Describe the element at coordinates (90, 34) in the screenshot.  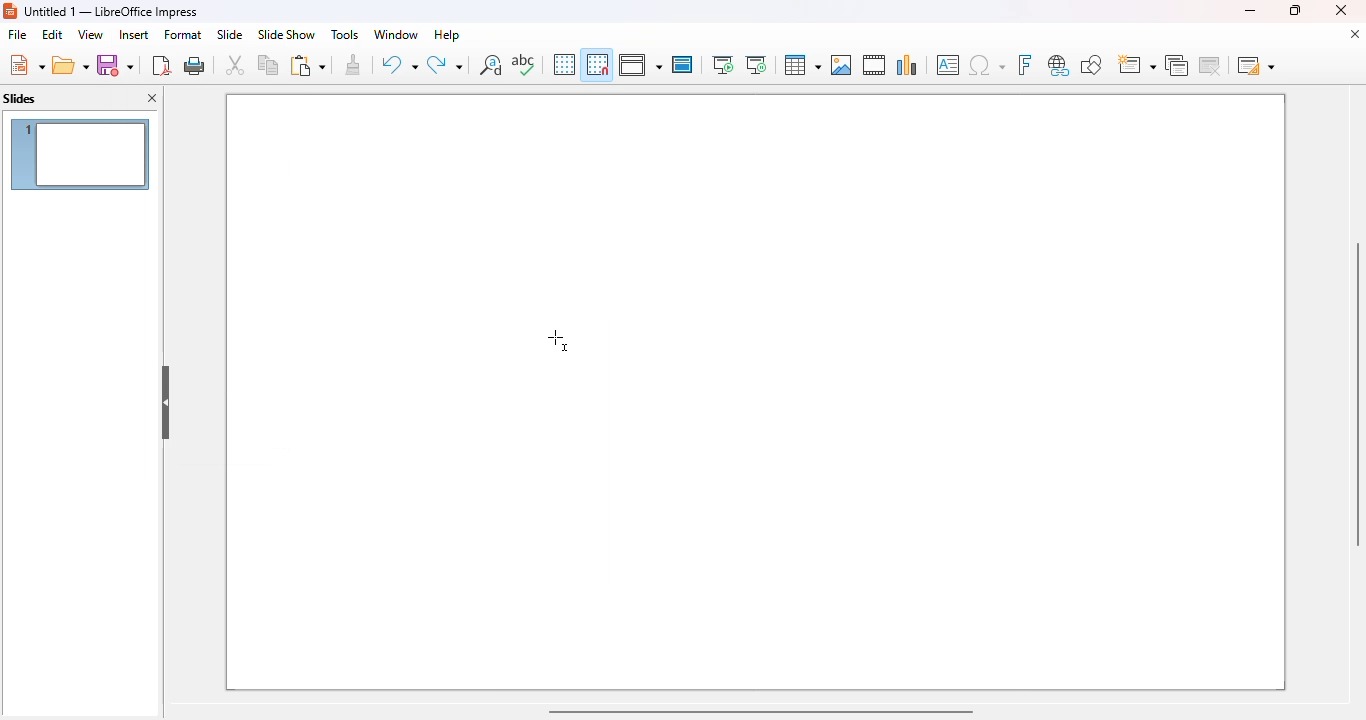
I see `view` at that location.